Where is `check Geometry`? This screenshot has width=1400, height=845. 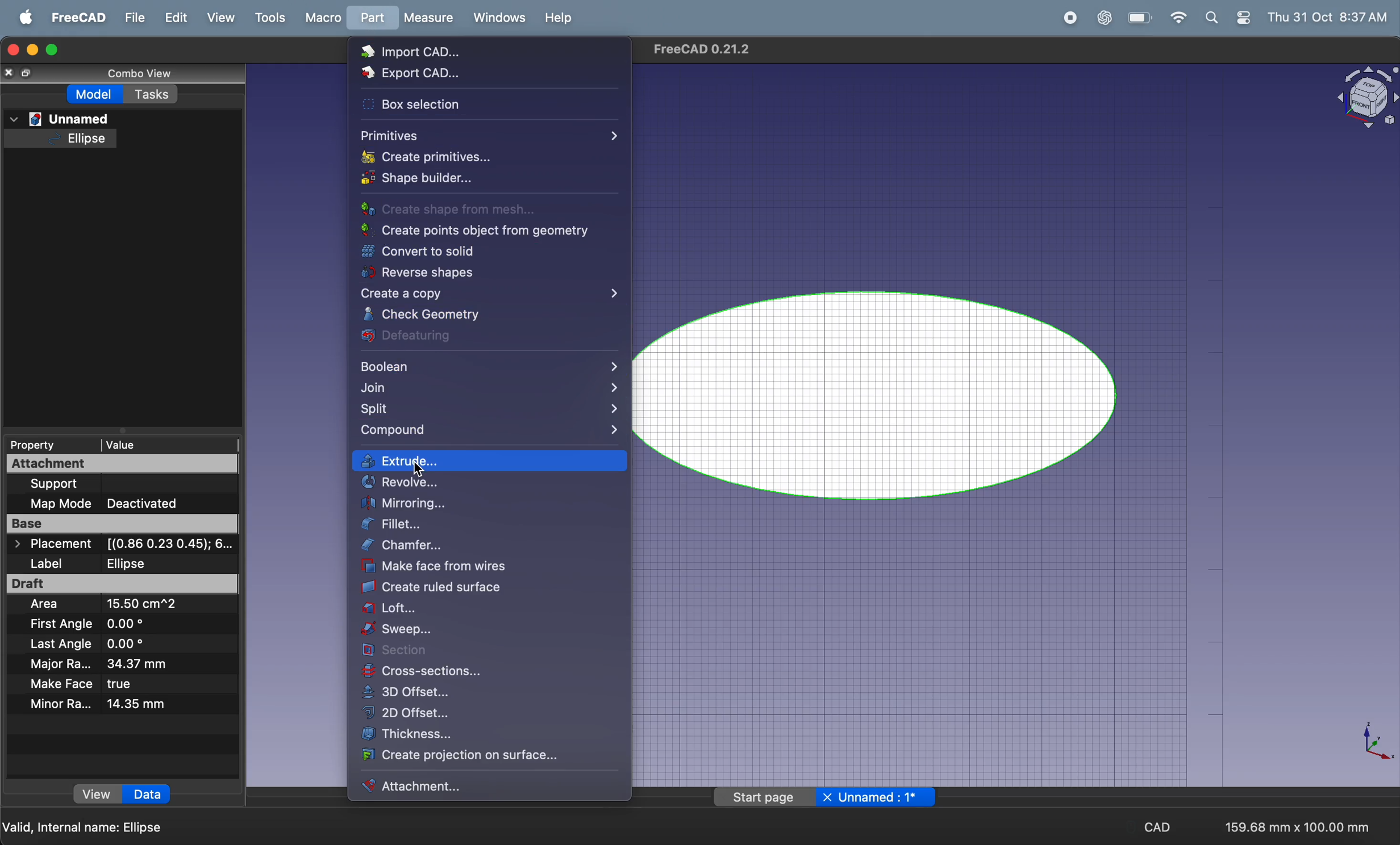
check Geometry is located at coordinates (487, 315).